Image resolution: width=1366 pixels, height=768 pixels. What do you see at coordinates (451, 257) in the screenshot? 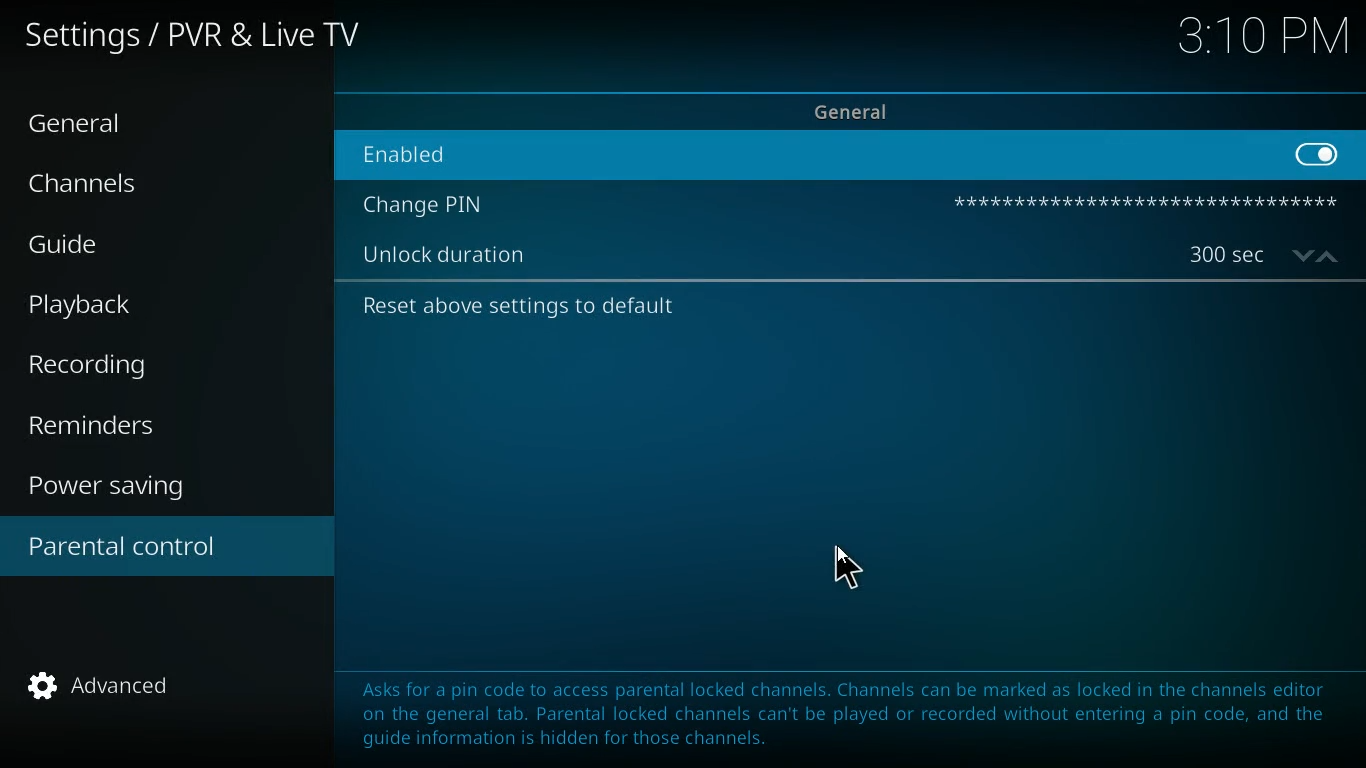
I see `unlock duration` at bounding box center [451, 257].